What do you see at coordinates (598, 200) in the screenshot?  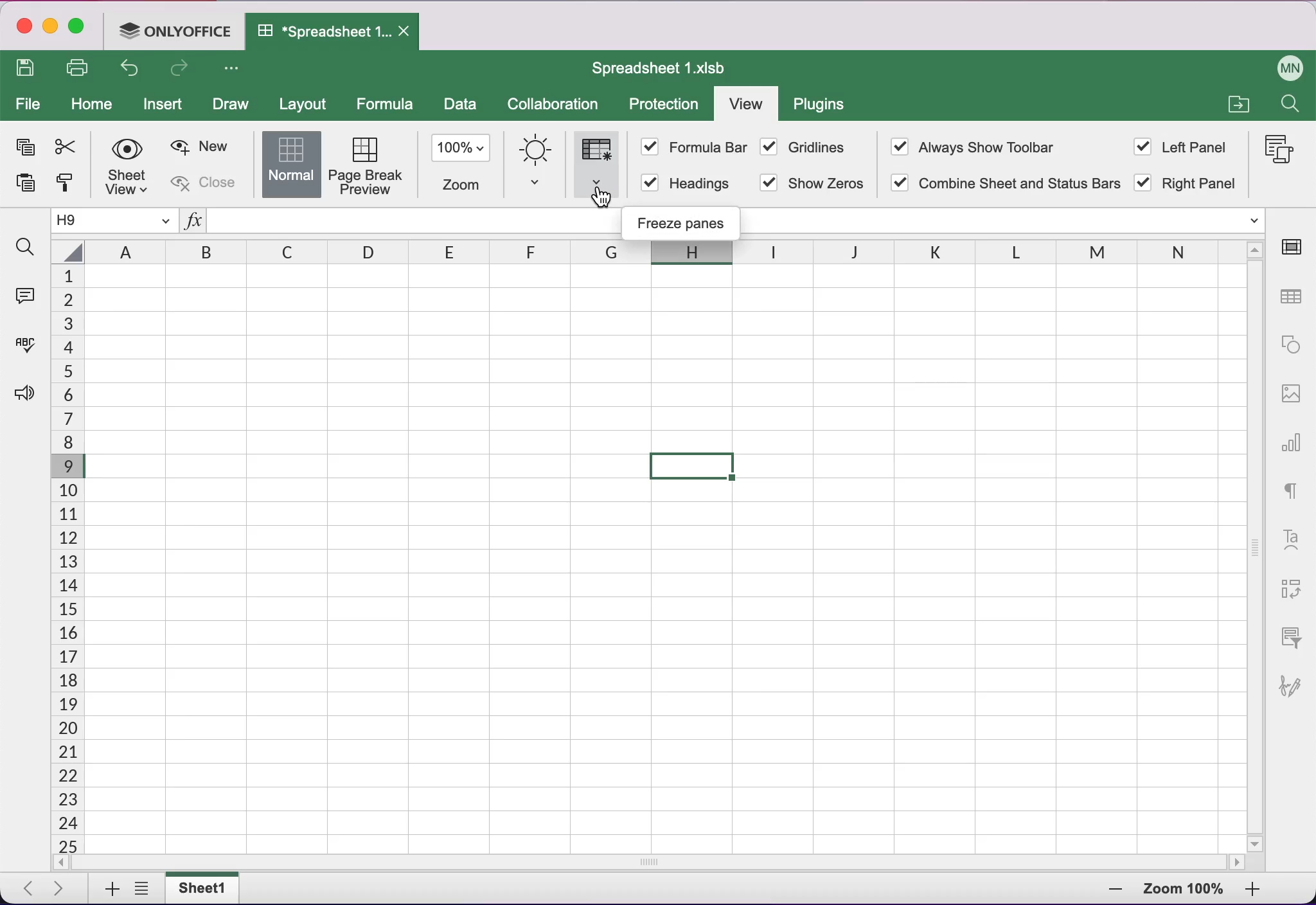 I see `cursor` at bounding box center [598, 200].